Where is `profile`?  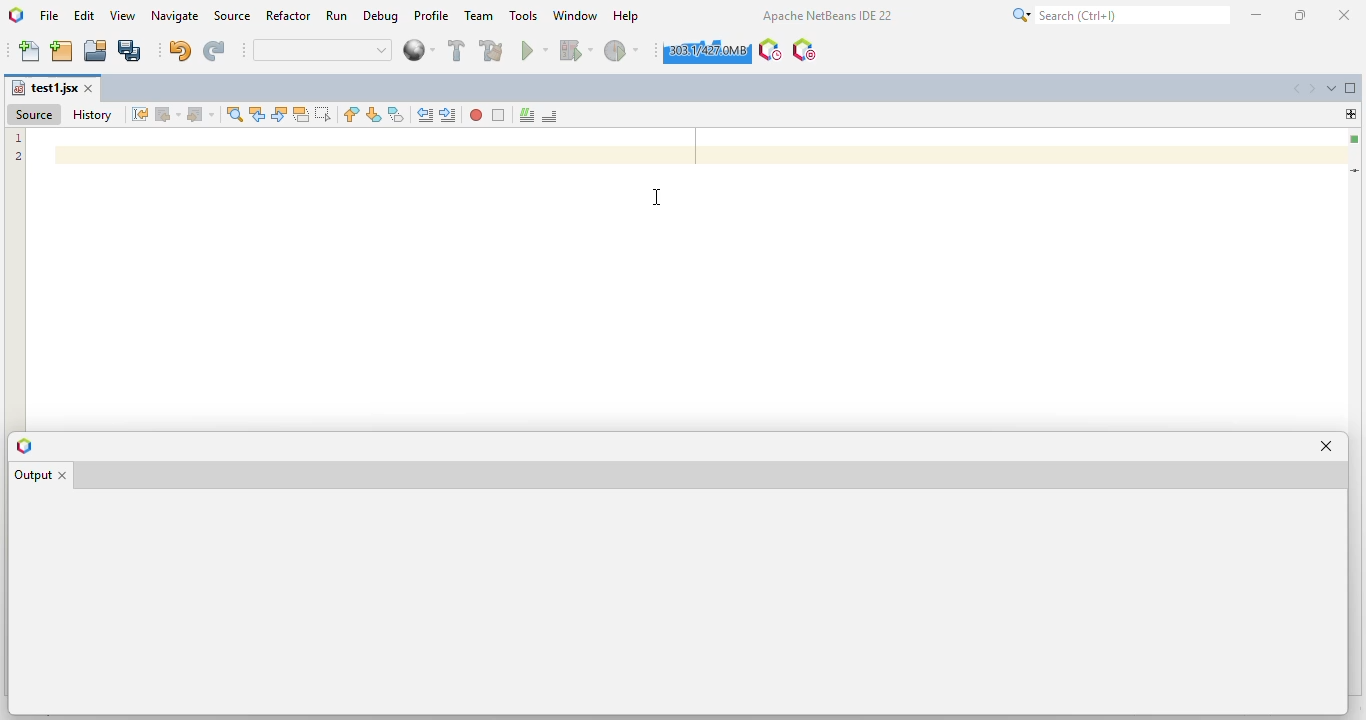
profile is located at coordinates (431, 16).